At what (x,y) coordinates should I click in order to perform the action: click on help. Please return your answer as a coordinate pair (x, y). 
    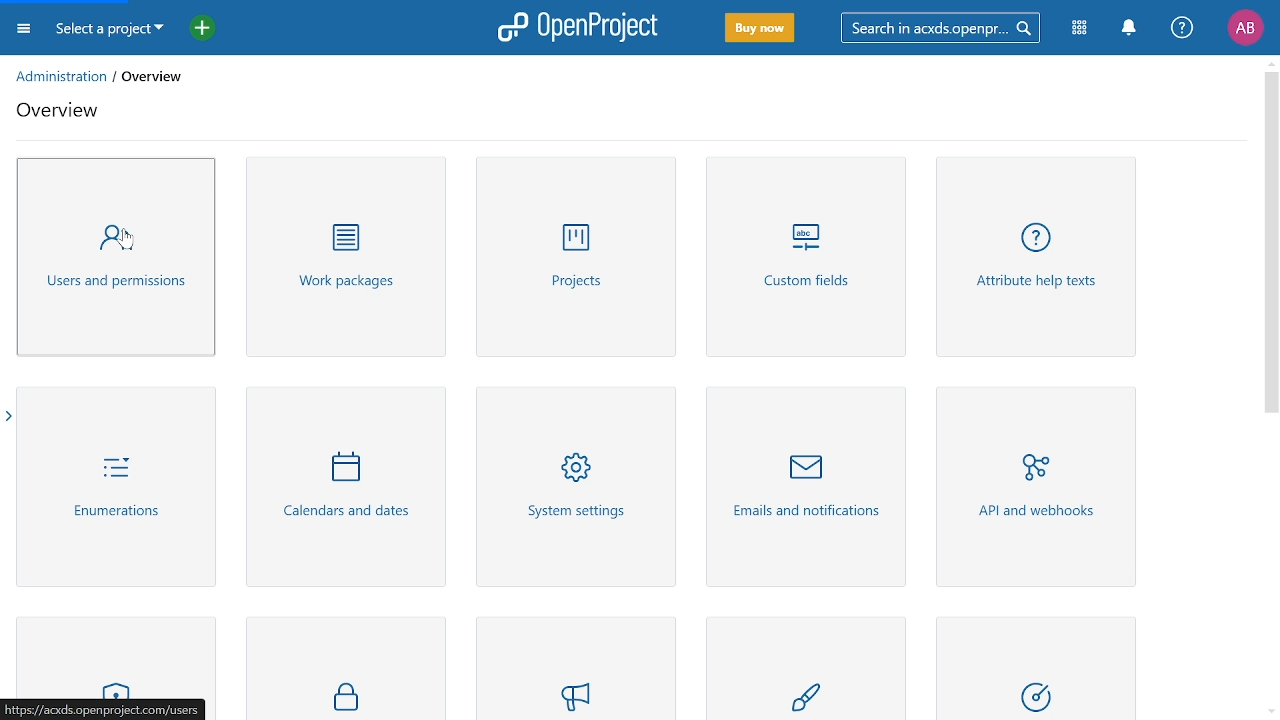
    Looking at the image, I should click on (1182, 28).